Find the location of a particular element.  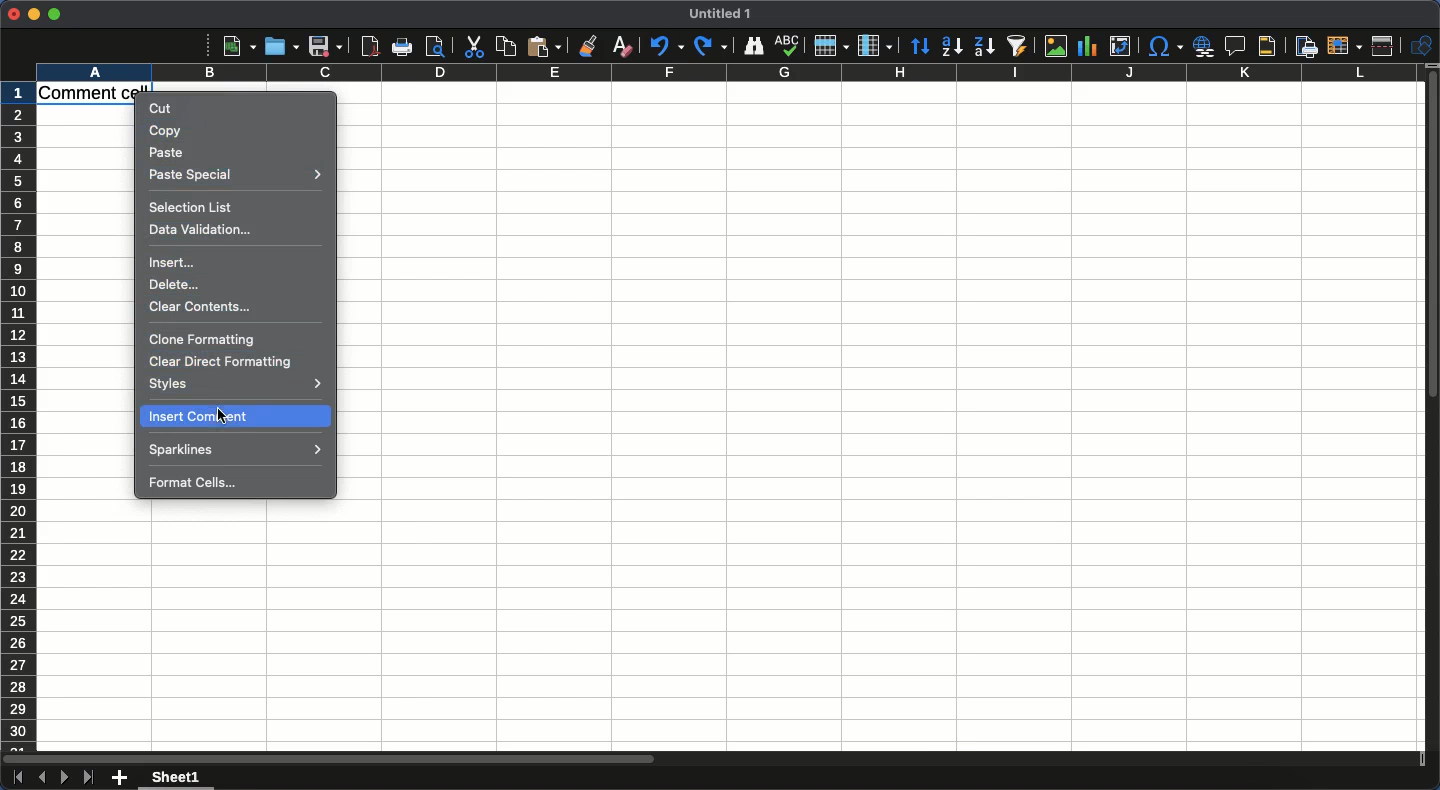

Paste is located at coordinates (544, 45).